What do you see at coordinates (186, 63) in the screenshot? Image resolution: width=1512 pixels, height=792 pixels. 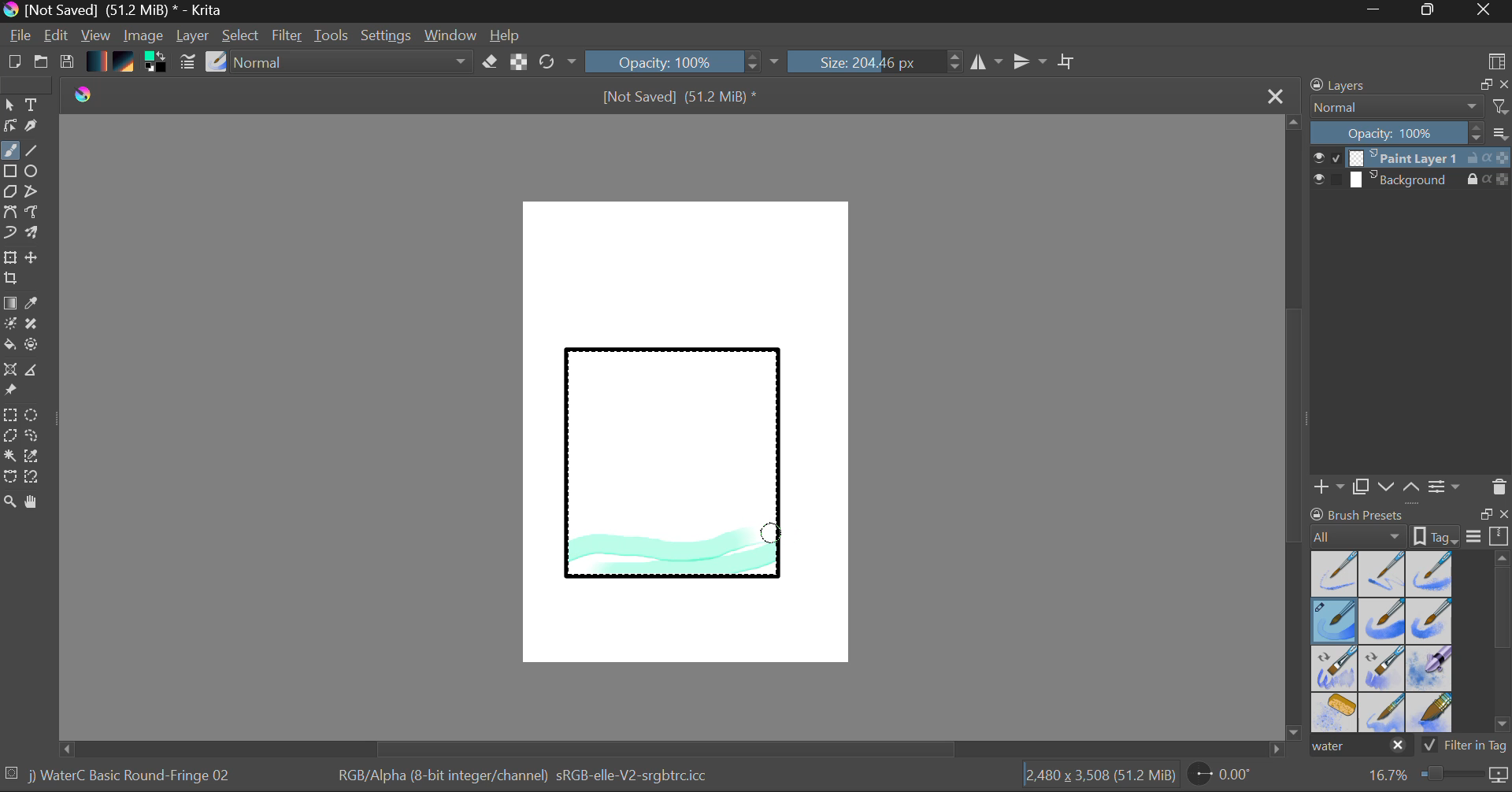 I see `Brush Settings` at bounding box center [186, 63].